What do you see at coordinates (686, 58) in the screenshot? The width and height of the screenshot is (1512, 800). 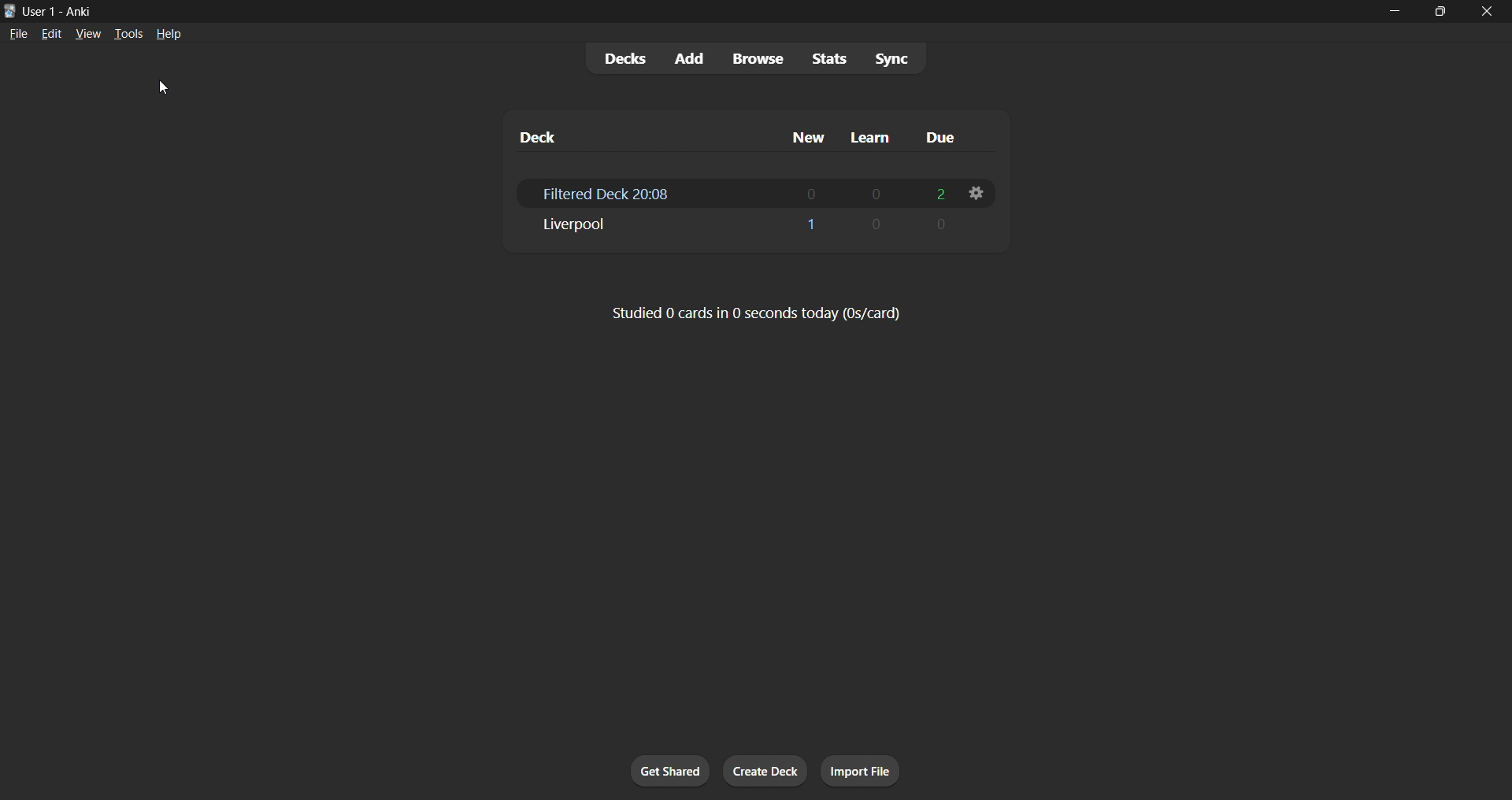 I see `add` at bounding box center [686, 58].